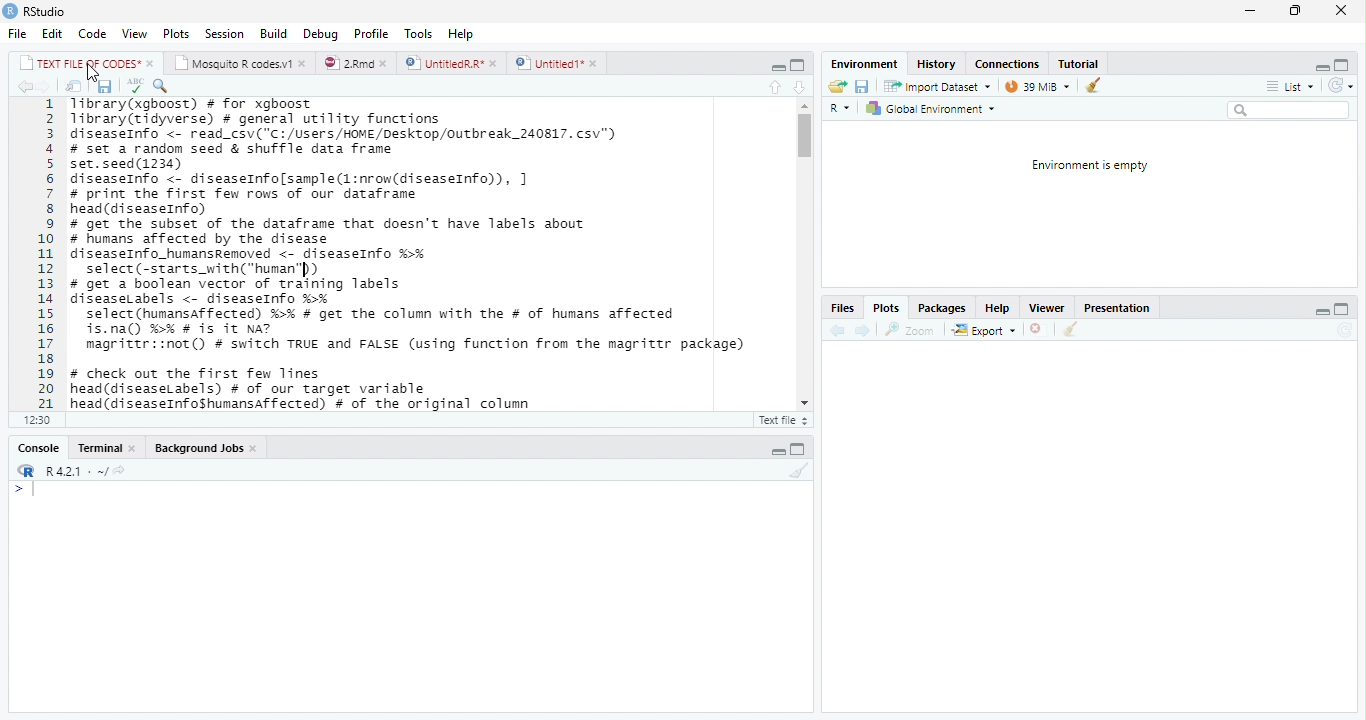 Image resolution: width=1366 pixels, height=720 pixels. I want to click on History, so click(938, 64).